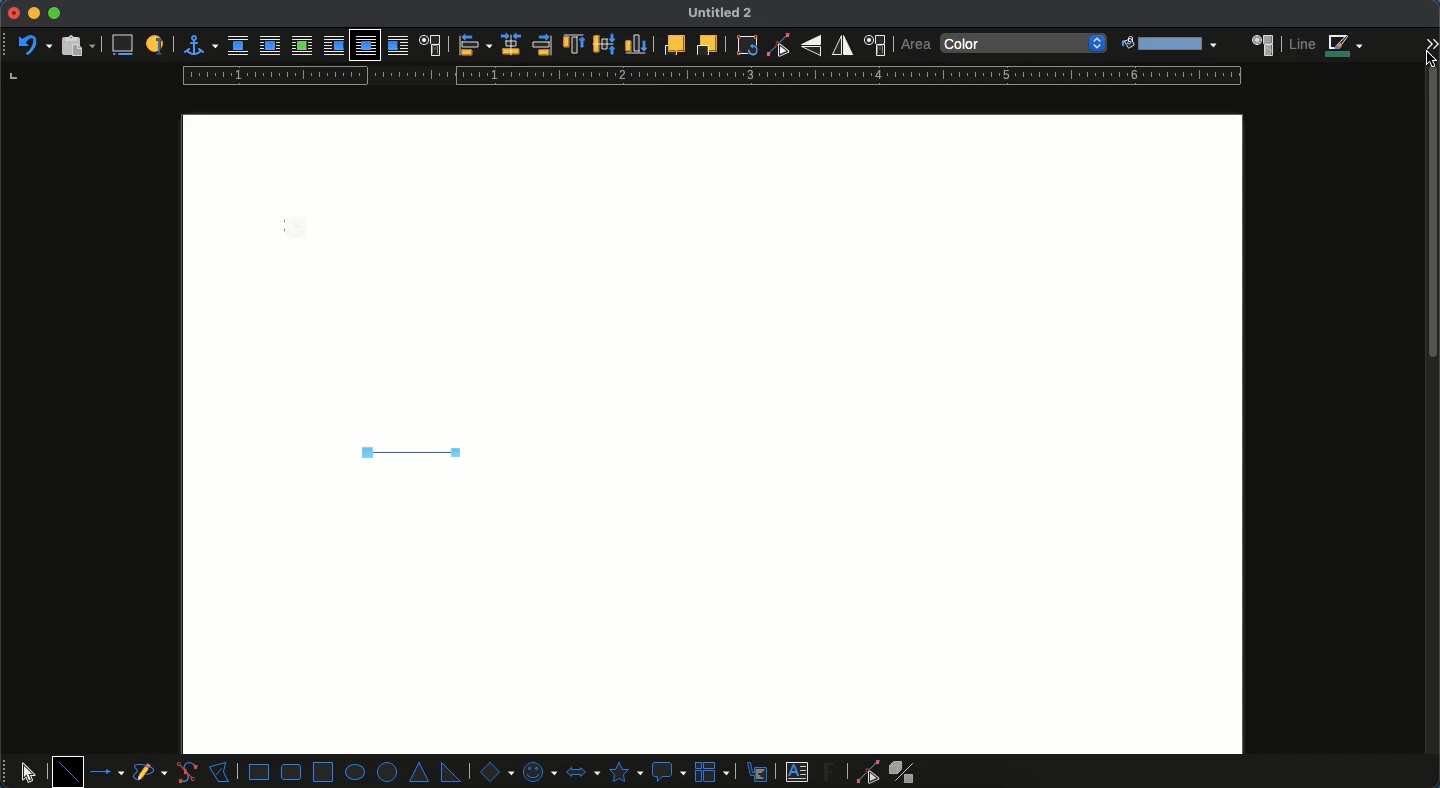 This screenshot has width=1440, height=788. Describe the element at coordinates (582, 770) in the screenshot. I see `block arrows` at that location.